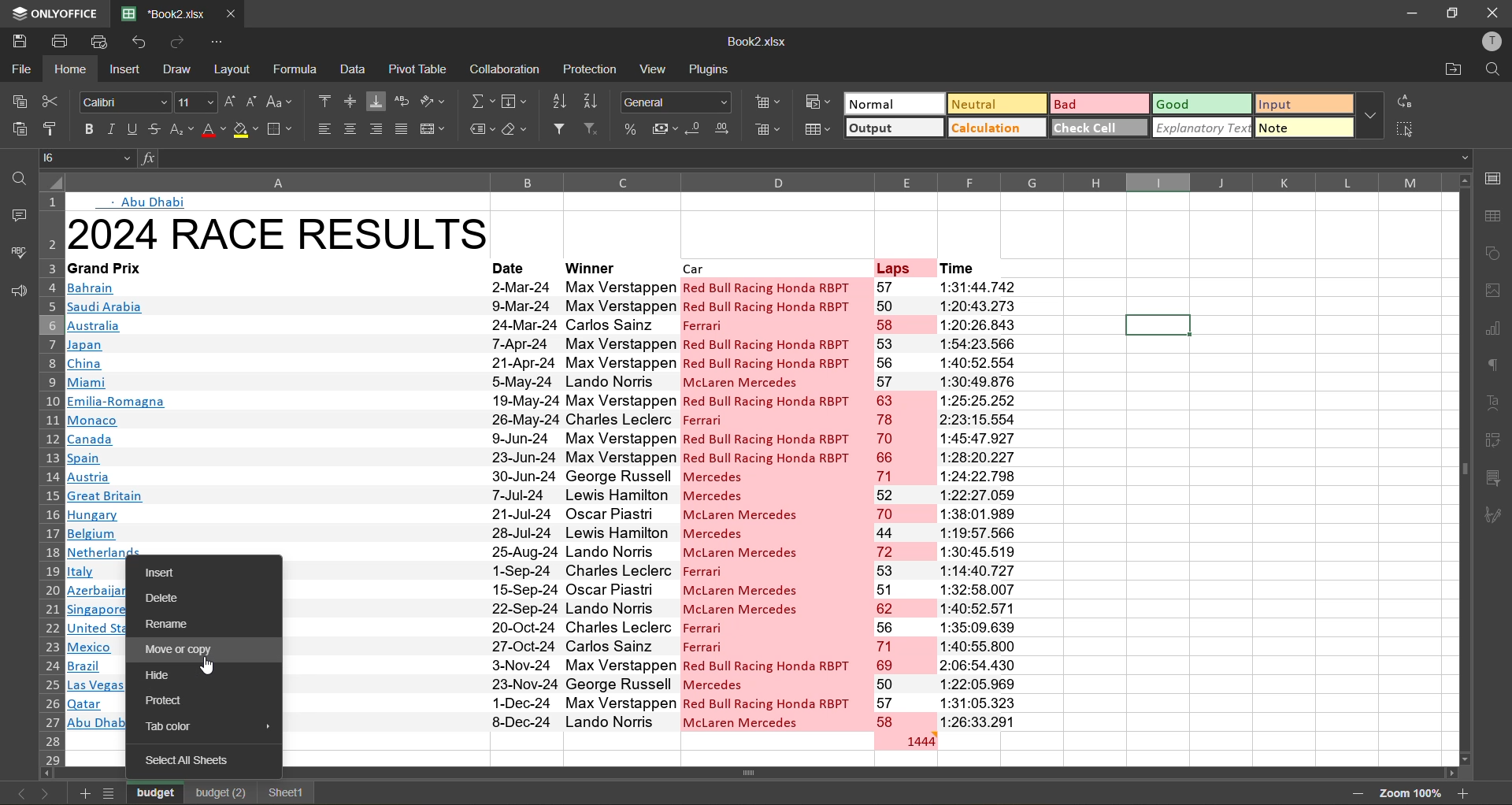 The height and width of the screenshot is (805, 1512). I want to click on profile, so click(1488, 42).